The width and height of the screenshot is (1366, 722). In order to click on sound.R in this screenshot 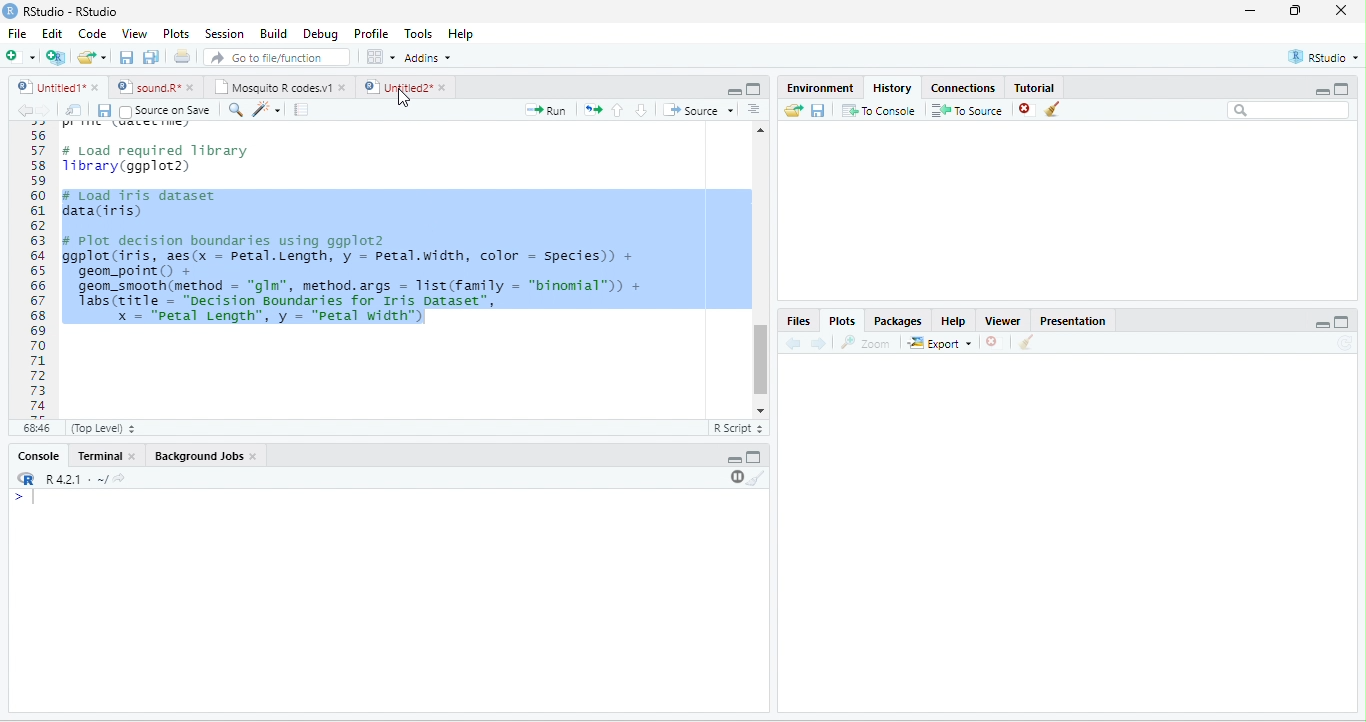, I will do `click(148, 87)`.